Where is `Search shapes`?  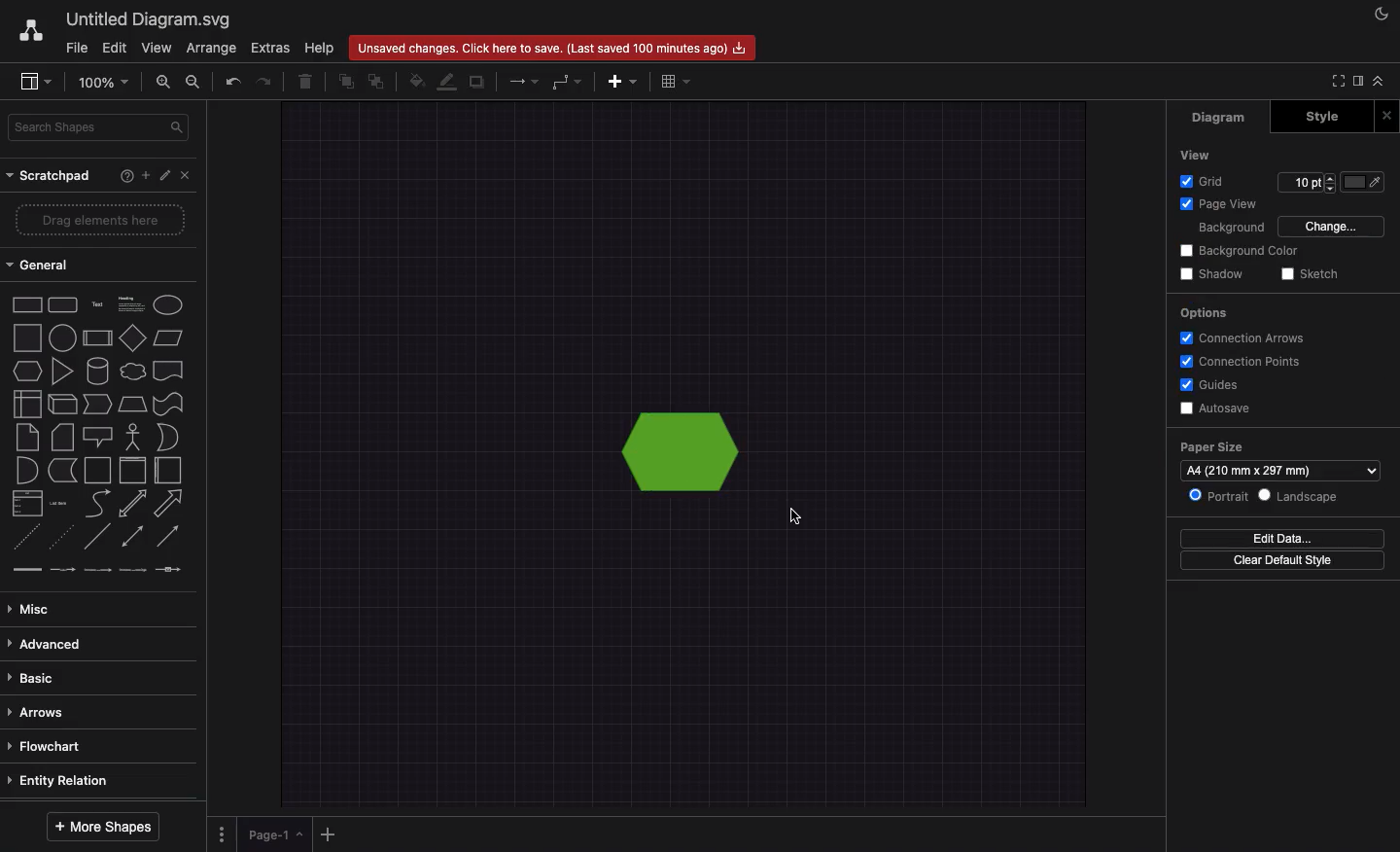 Search shapes is located at coordinates (101, 127).